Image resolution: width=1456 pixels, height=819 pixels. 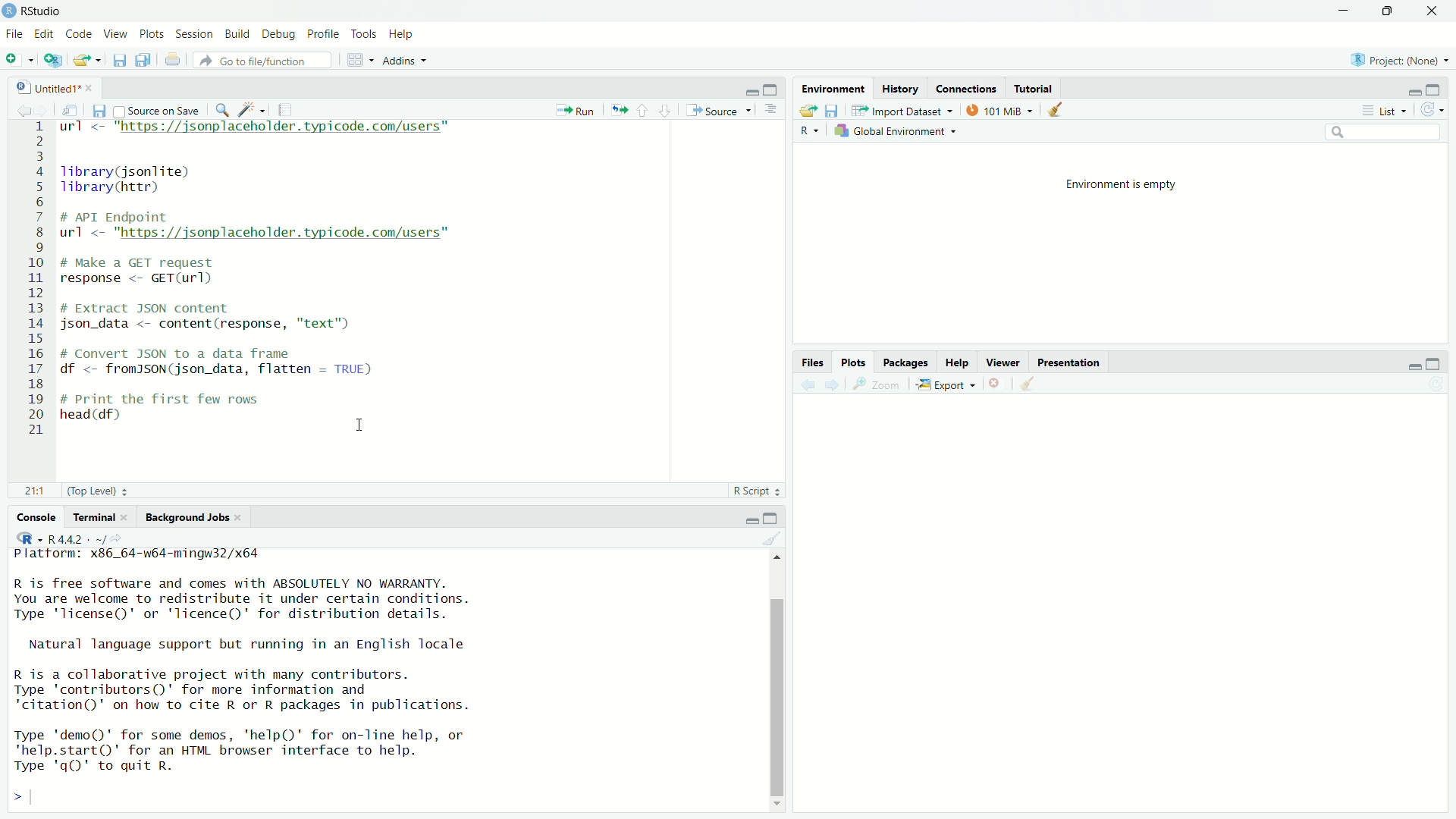 What do you see at coordinates (895, 133) in the screenshot?
I see `Global Environment ` at bounding box center [895, 133].